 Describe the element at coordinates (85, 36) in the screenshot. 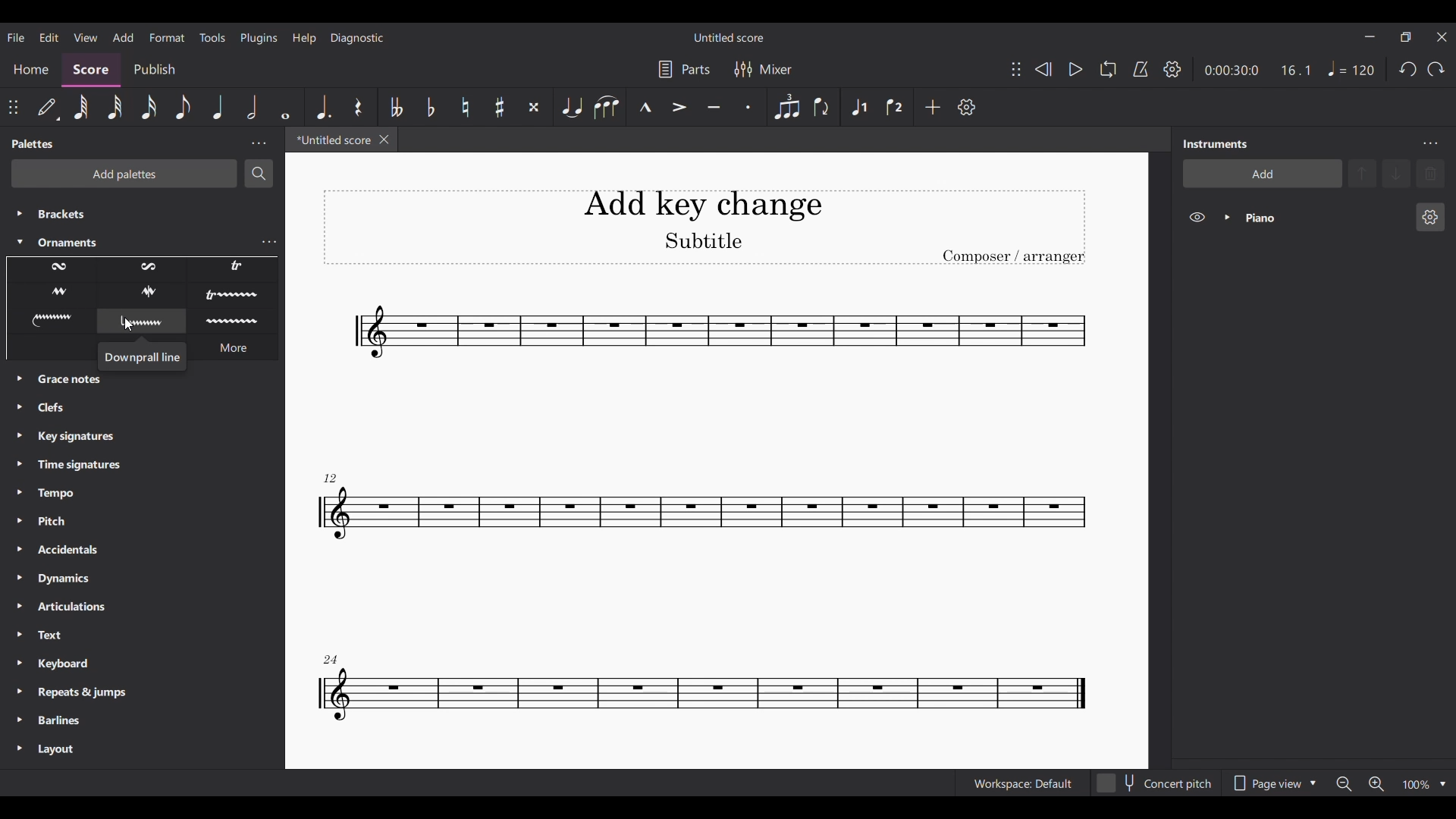

I see `View menu` at that location.